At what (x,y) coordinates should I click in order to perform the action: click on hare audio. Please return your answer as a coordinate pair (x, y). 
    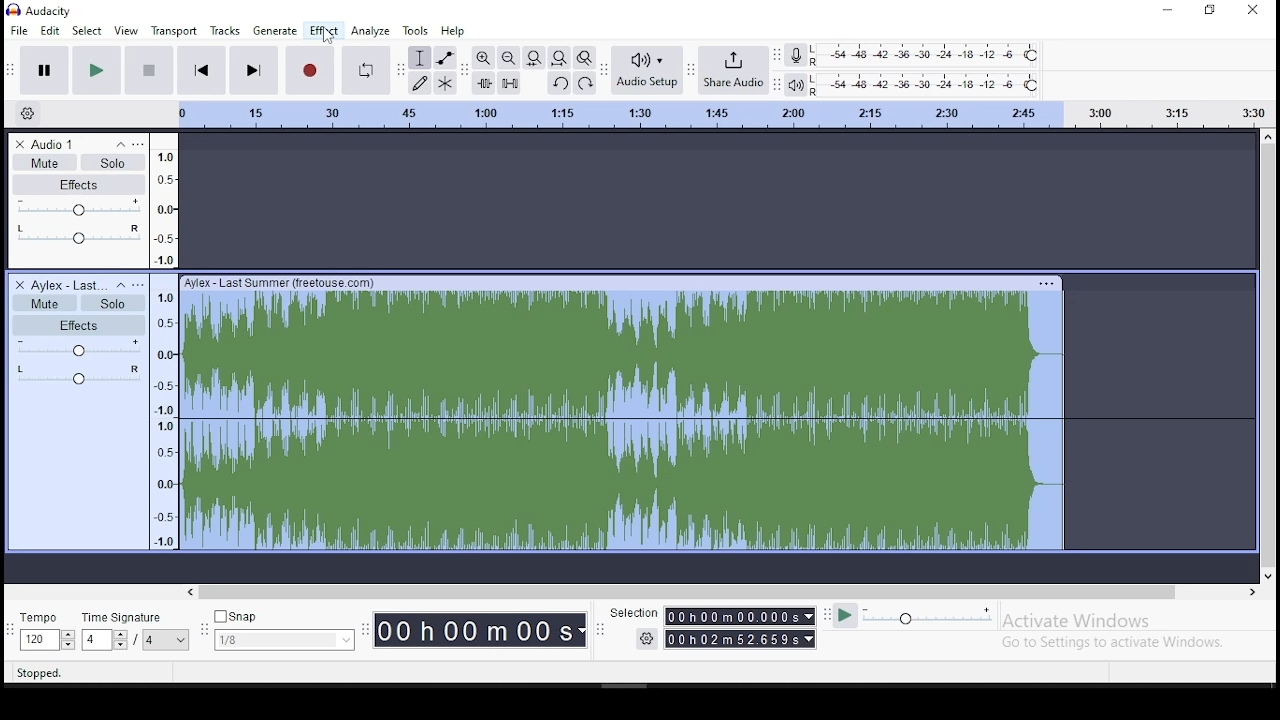
    Looking at the image, I should click on (735, 71).